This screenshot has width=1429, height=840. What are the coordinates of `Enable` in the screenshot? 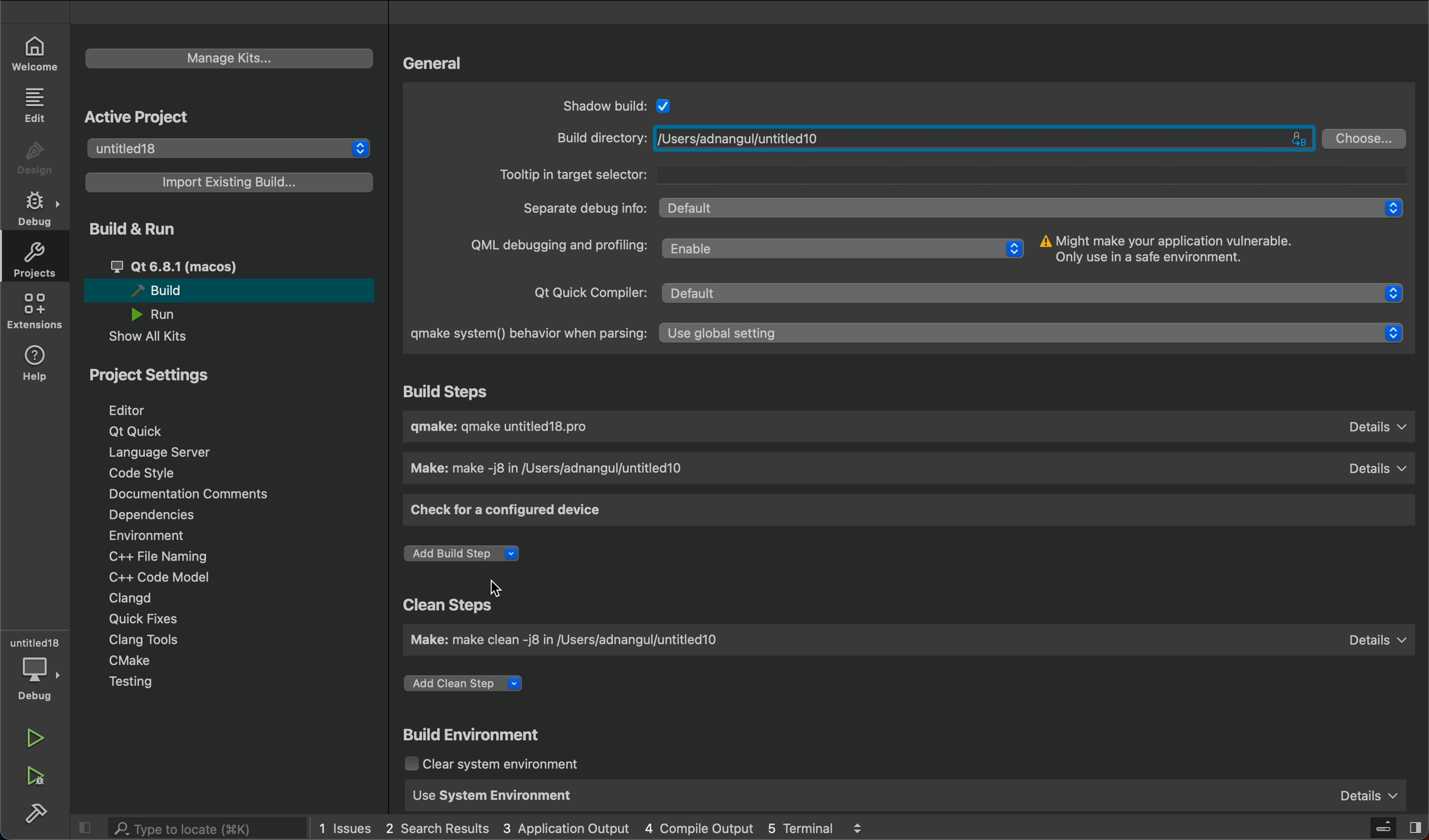 It's located at (843, 248).